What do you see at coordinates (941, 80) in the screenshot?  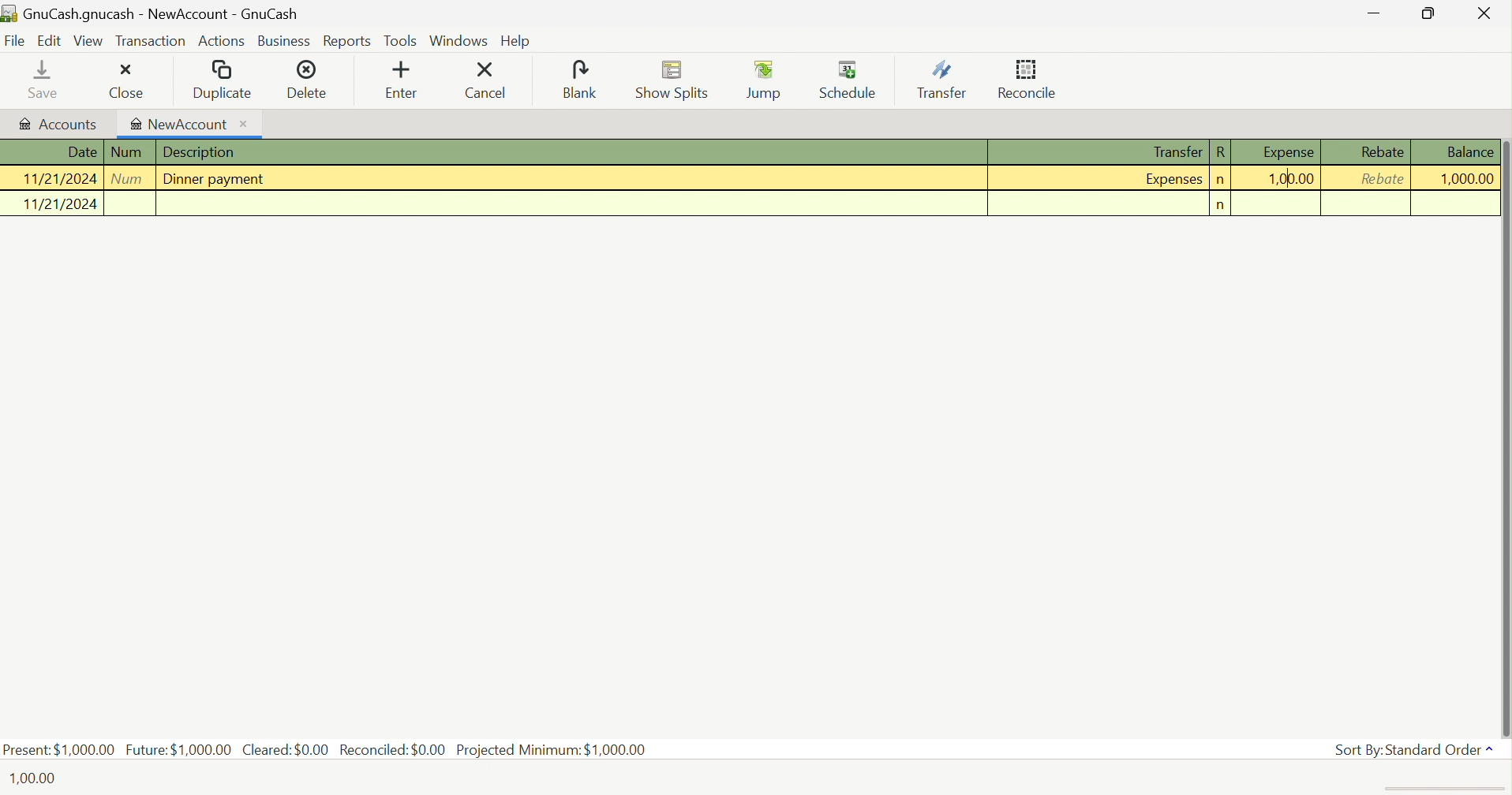 I see `Transfer` at bounding box center [941, 80].